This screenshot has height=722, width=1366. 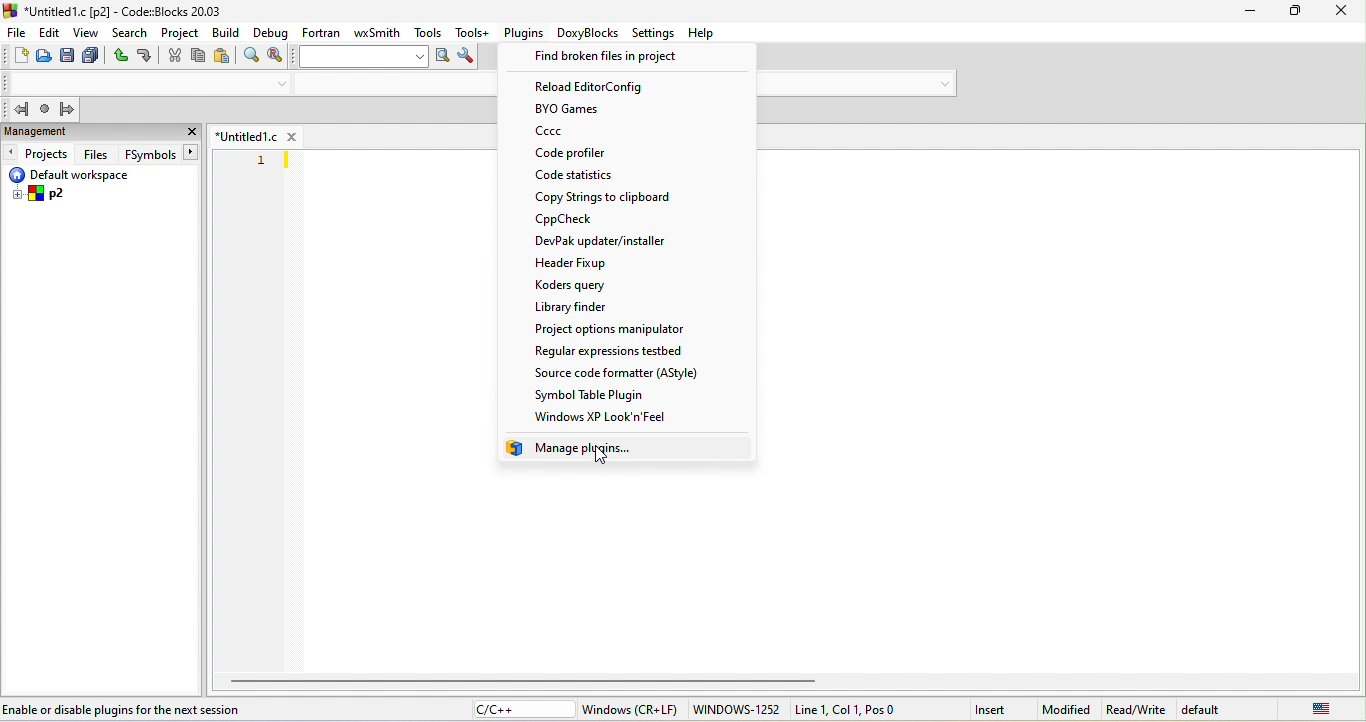 I want to click on tools, so click(x=426, y=32).